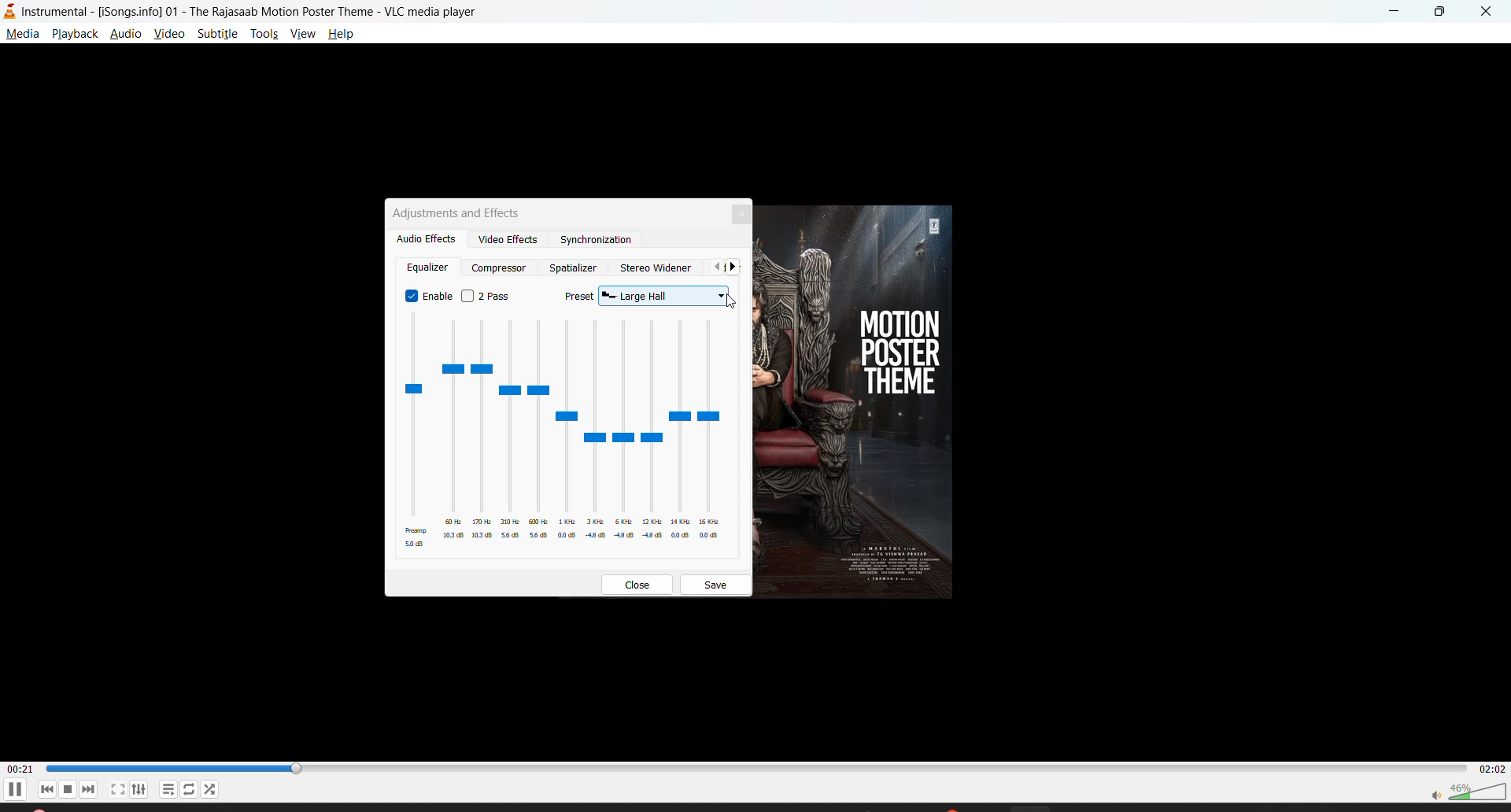 The height and width of the screenshot is (812, 1511). I want to click on close, so click(635, 585).